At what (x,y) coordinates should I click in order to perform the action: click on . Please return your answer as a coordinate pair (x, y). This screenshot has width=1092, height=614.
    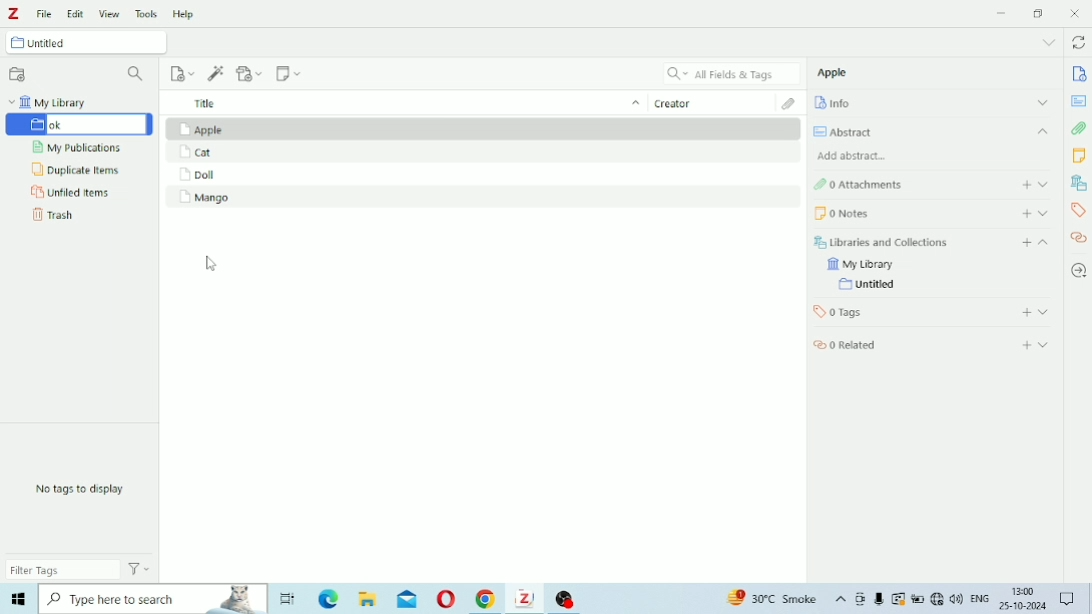
    Looking at the image, I should click on (978, 598).